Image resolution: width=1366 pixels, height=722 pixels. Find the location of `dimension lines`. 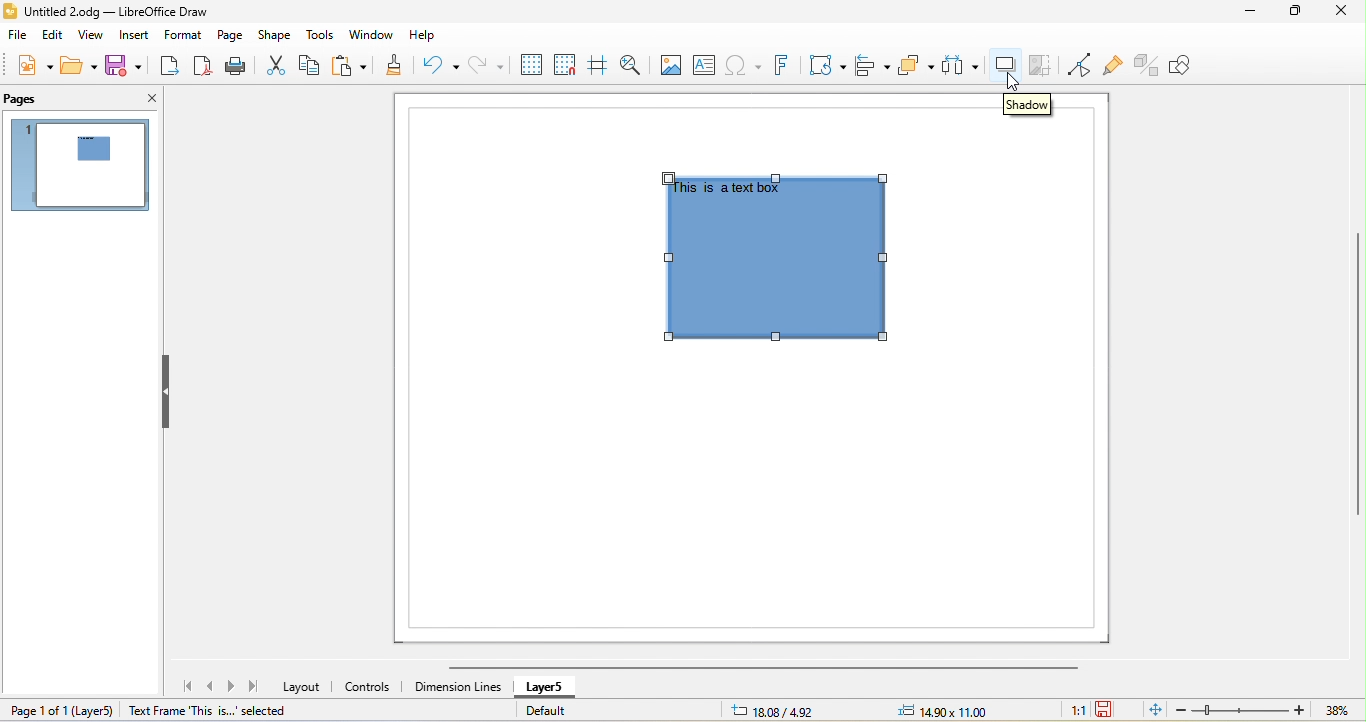

dimension lines is located at coordinates (458, 687).